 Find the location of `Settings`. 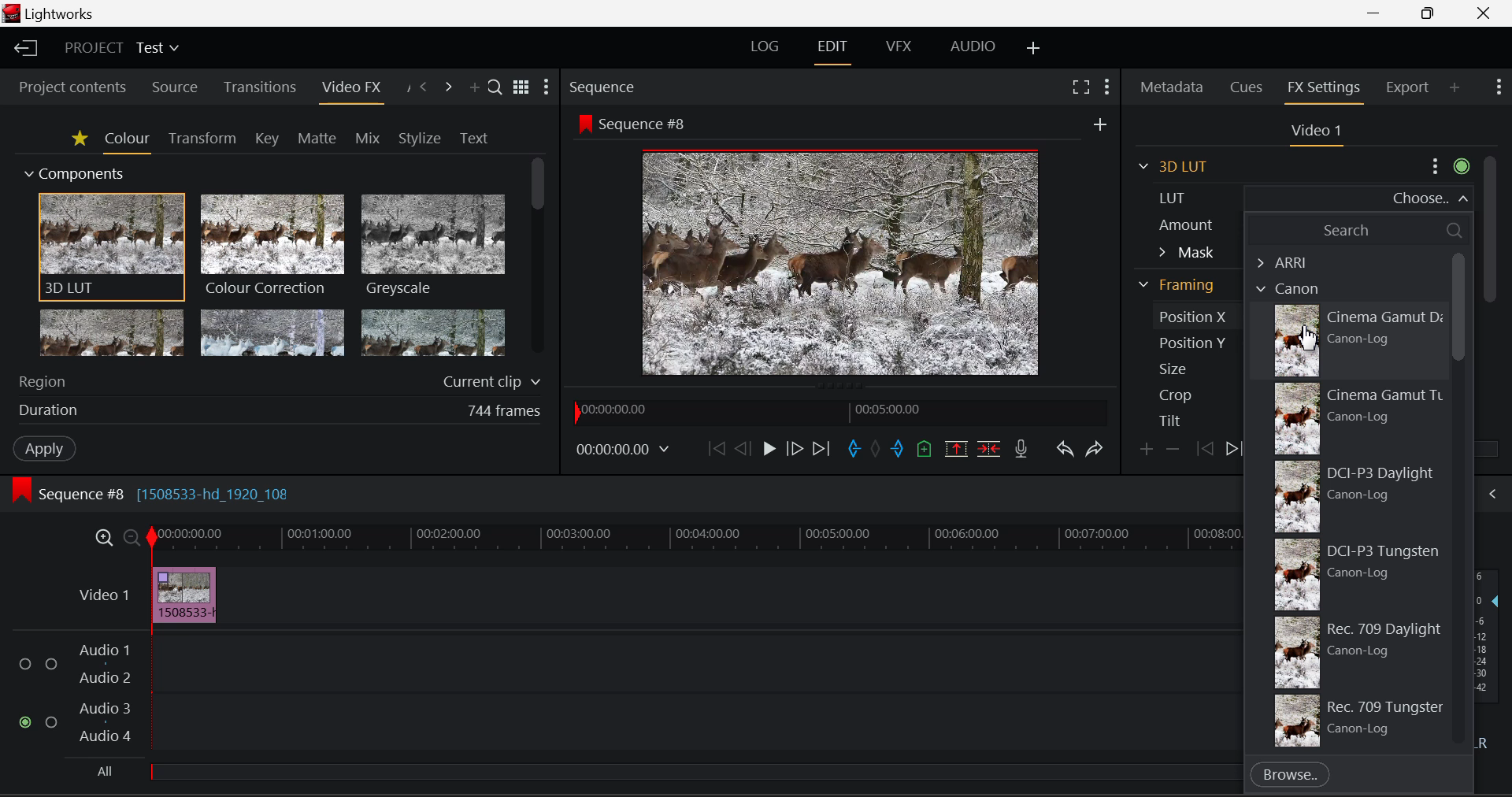

Settings is located at coordinates (1451, 165).